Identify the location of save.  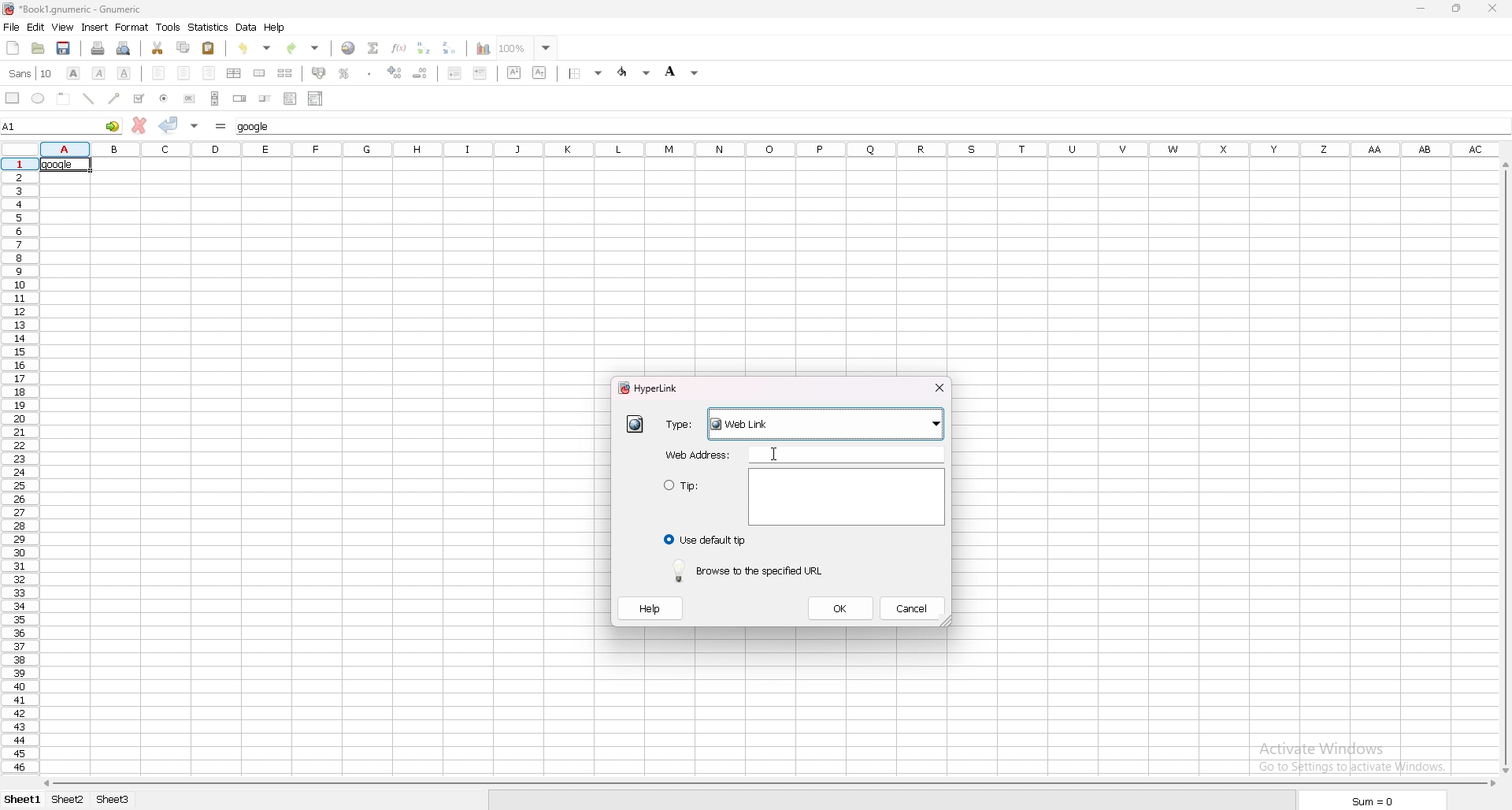
(66, 48).